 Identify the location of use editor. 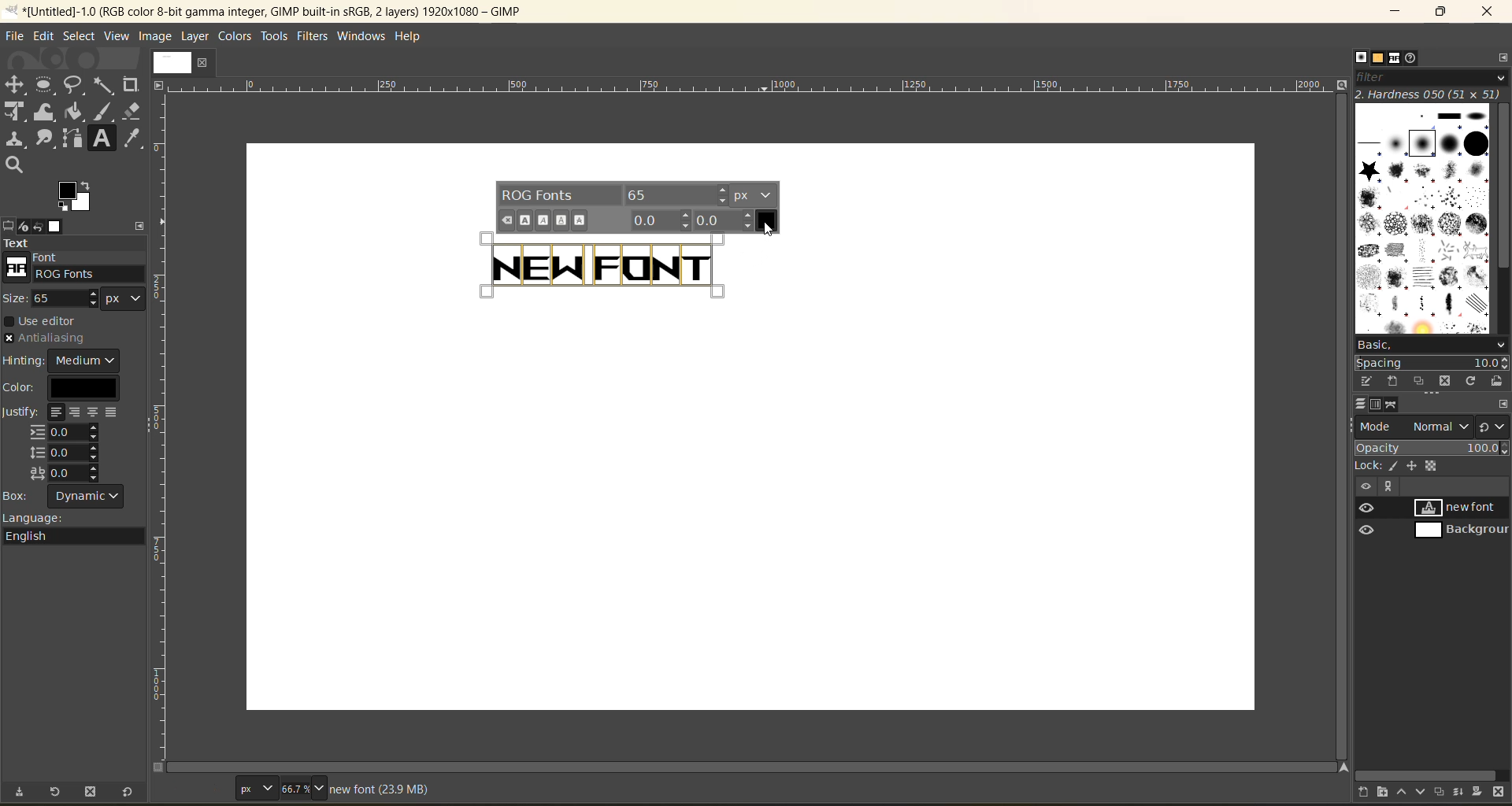
(48, 321).